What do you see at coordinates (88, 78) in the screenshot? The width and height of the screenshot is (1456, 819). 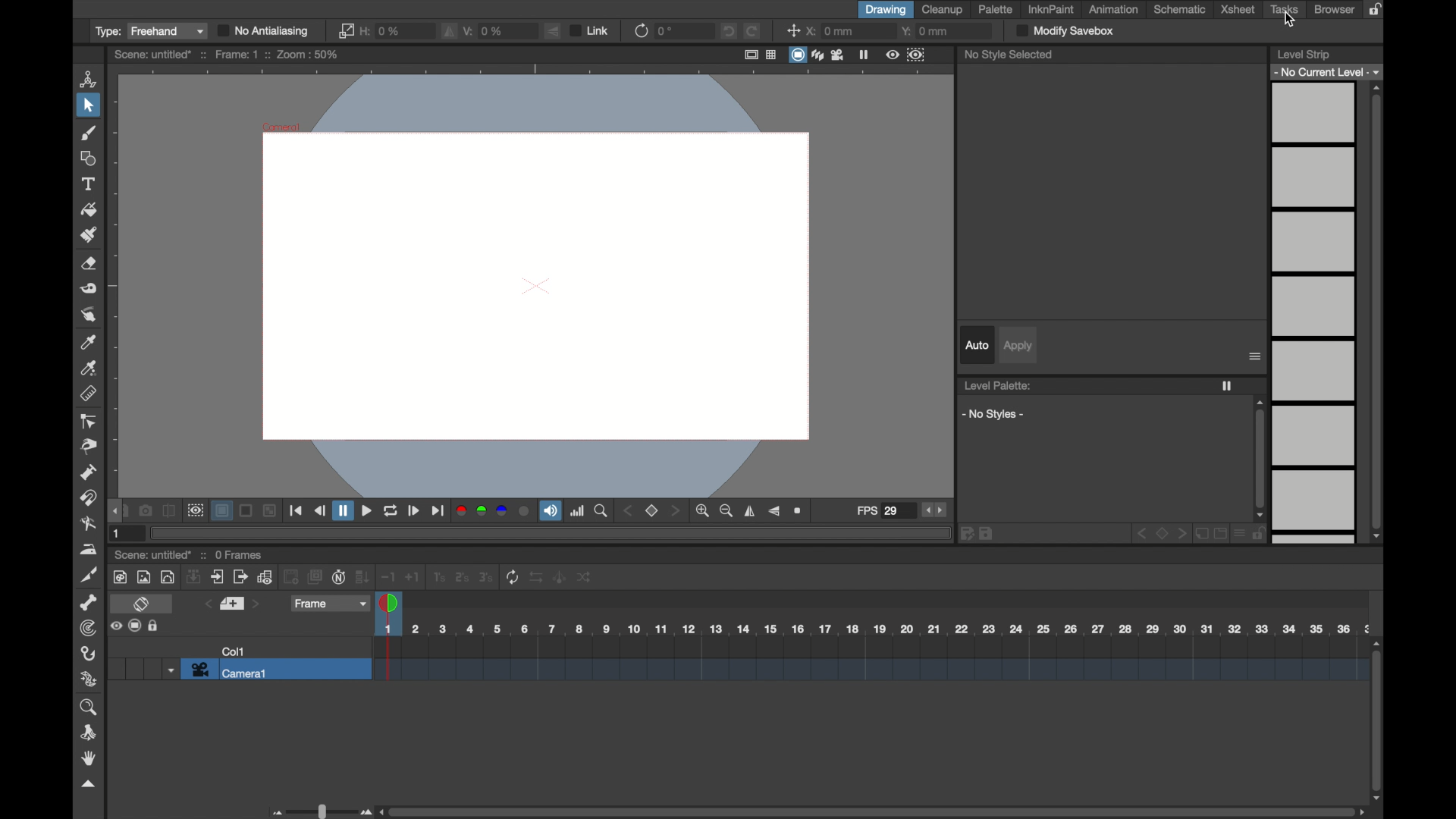 I see `animate tool` at bounding box center [88, 78].